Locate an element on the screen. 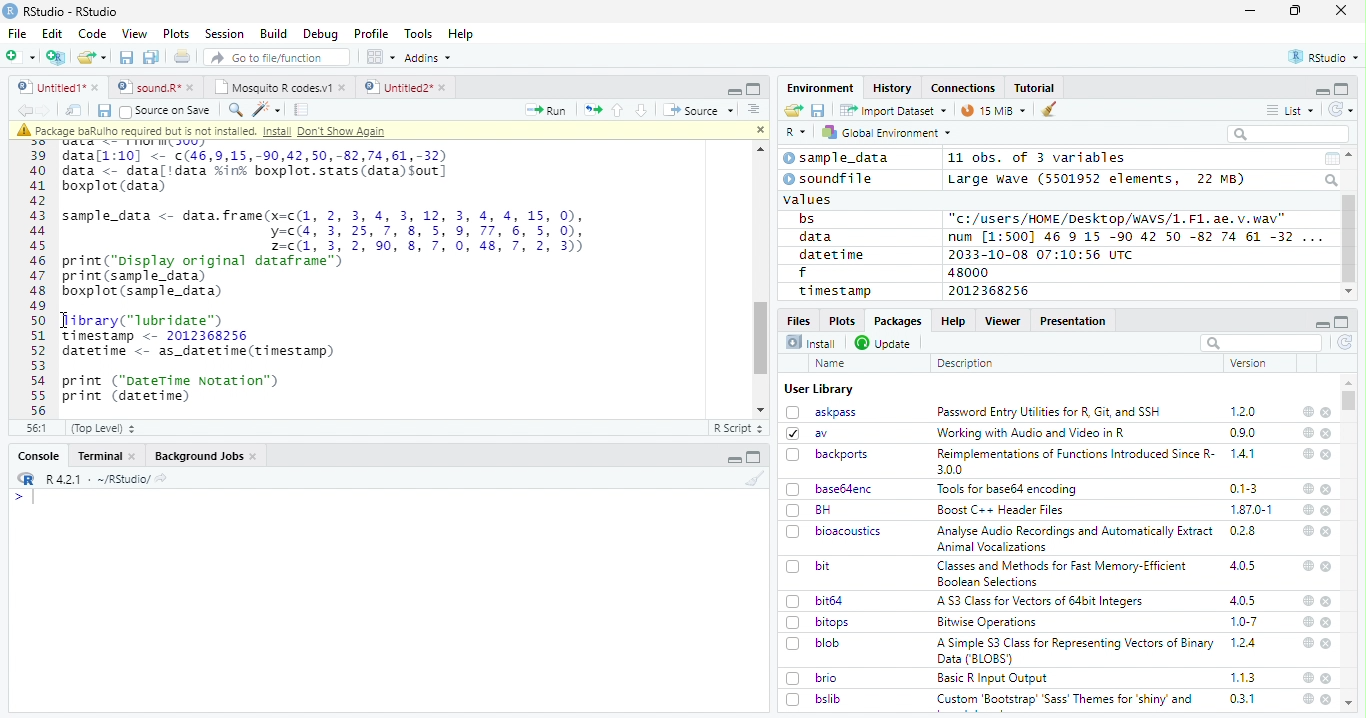  close is located at coordinates (1327, 455).